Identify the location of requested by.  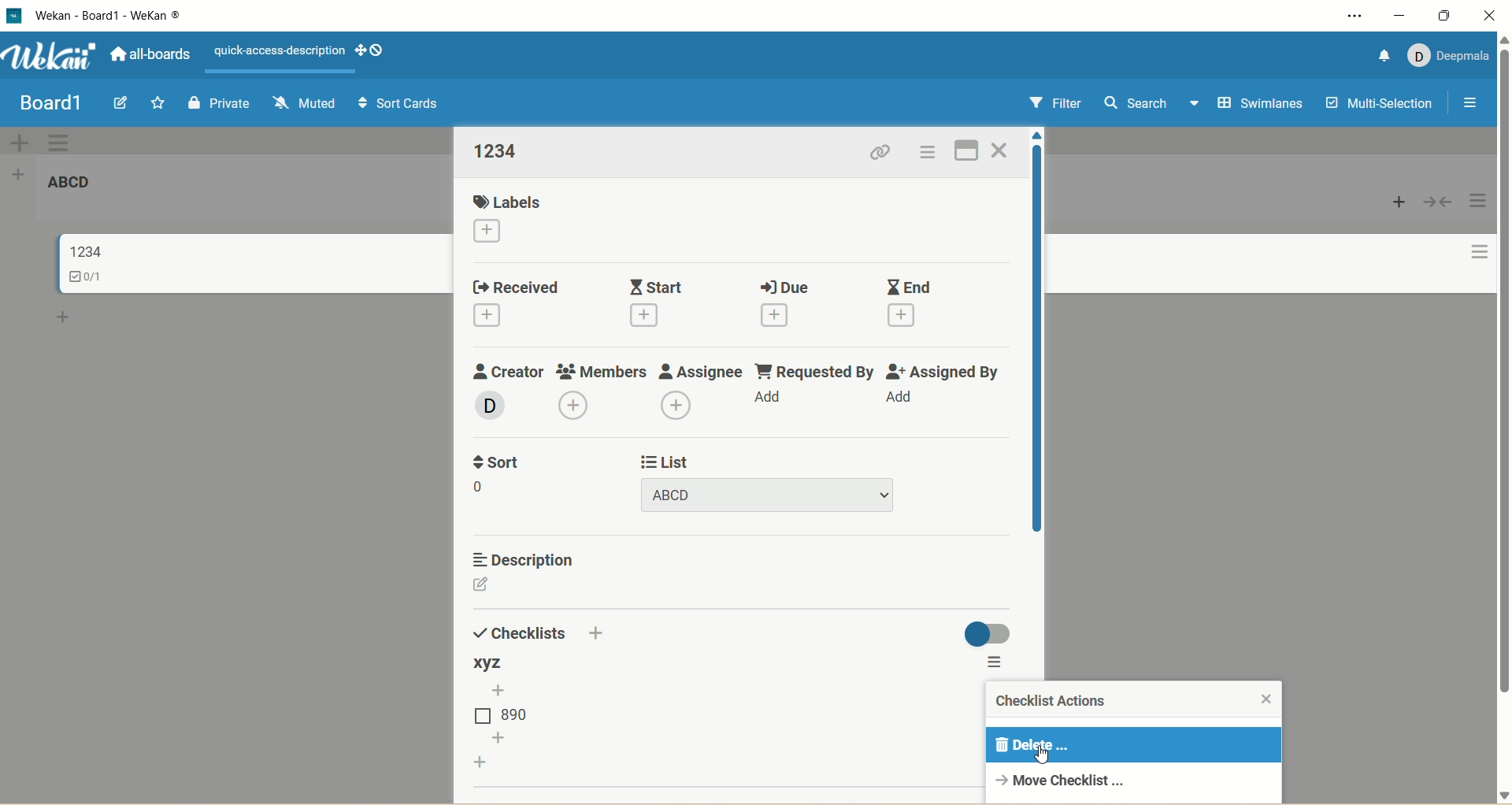
(821, 369).